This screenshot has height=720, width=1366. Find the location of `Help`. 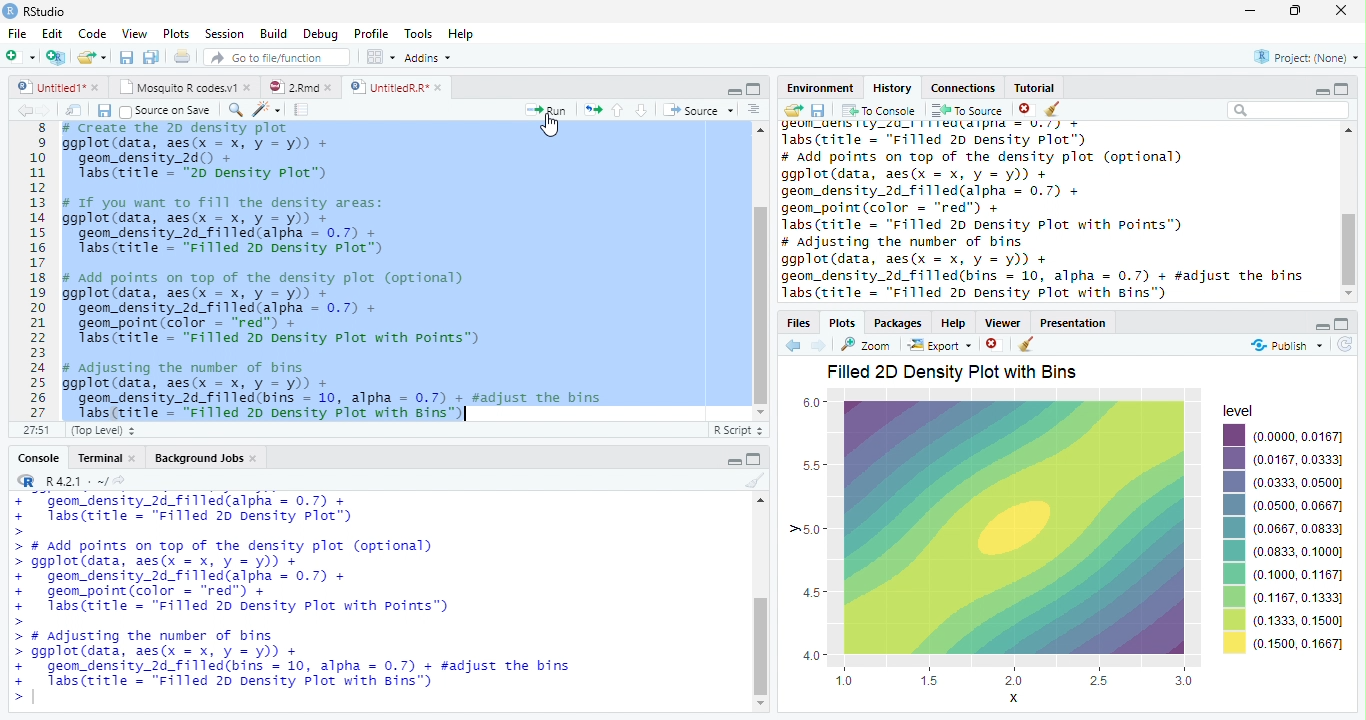

Help is located at coordinates (460, 35).